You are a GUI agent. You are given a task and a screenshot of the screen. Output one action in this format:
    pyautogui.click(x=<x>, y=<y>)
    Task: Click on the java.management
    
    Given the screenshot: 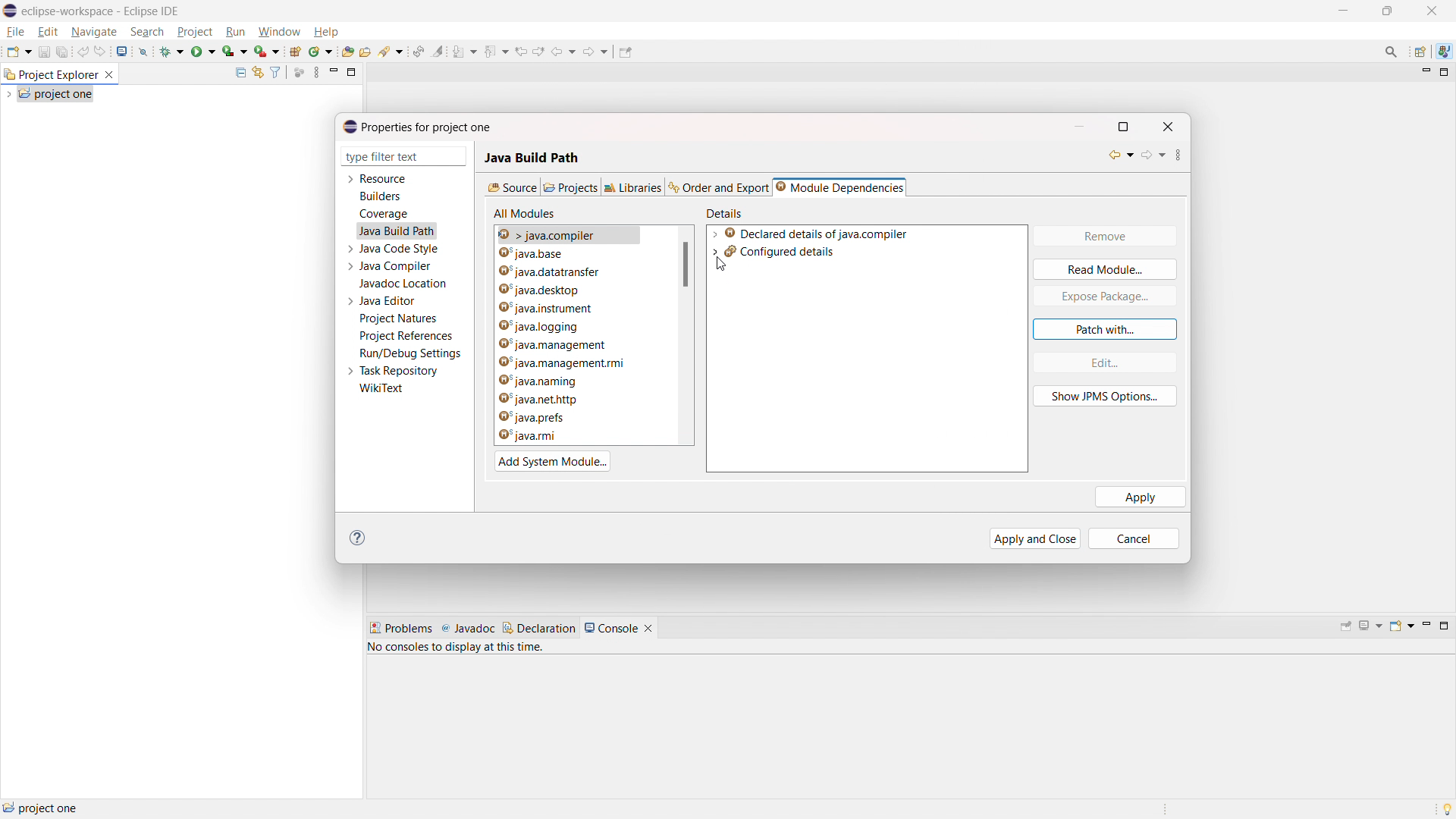 What is the action you would take?
    pyautogui.click(x=570, y=344)
    